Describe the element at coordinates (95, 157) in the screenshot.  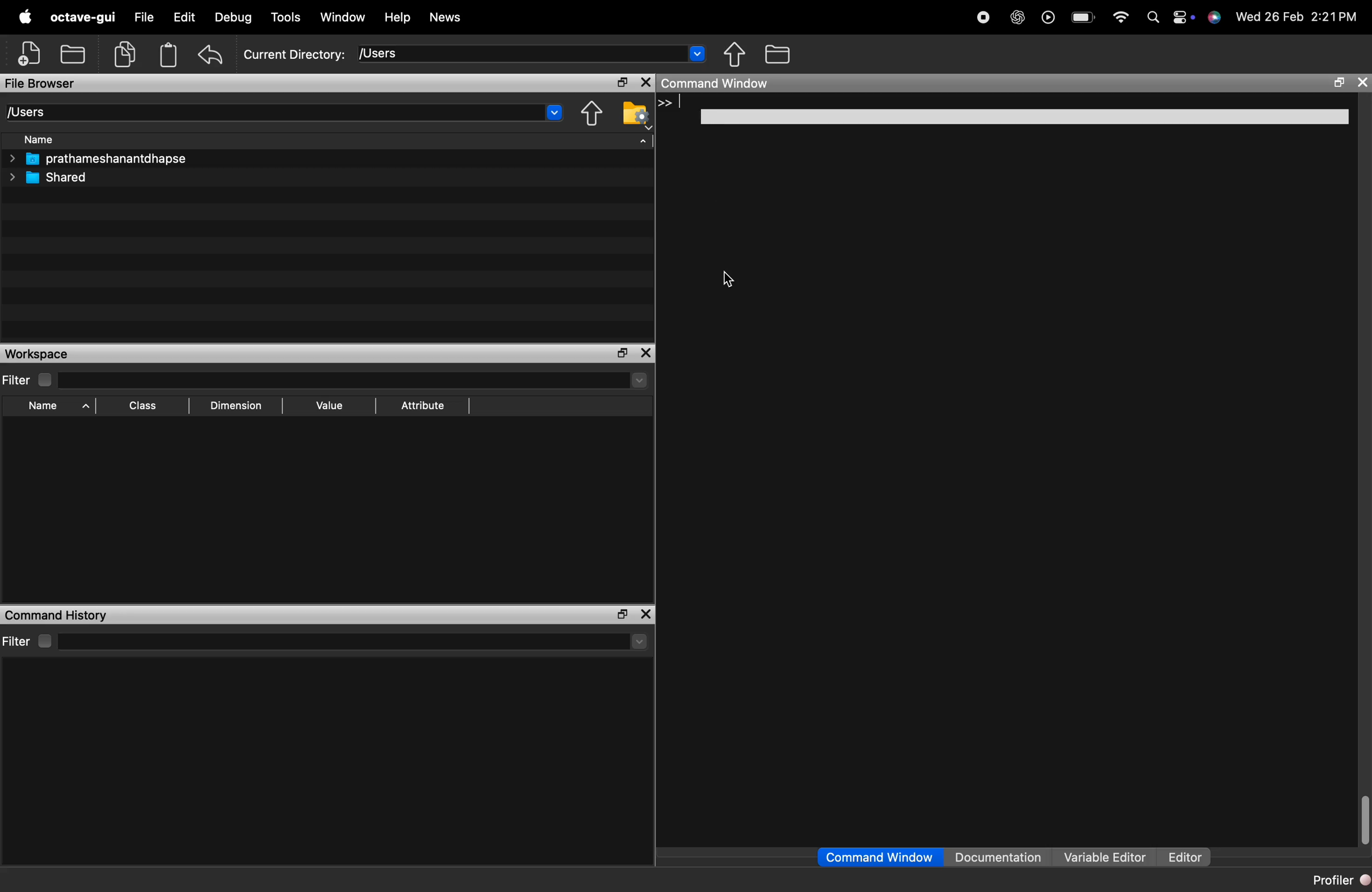
I see `prathameshanantdhapse` at that location.